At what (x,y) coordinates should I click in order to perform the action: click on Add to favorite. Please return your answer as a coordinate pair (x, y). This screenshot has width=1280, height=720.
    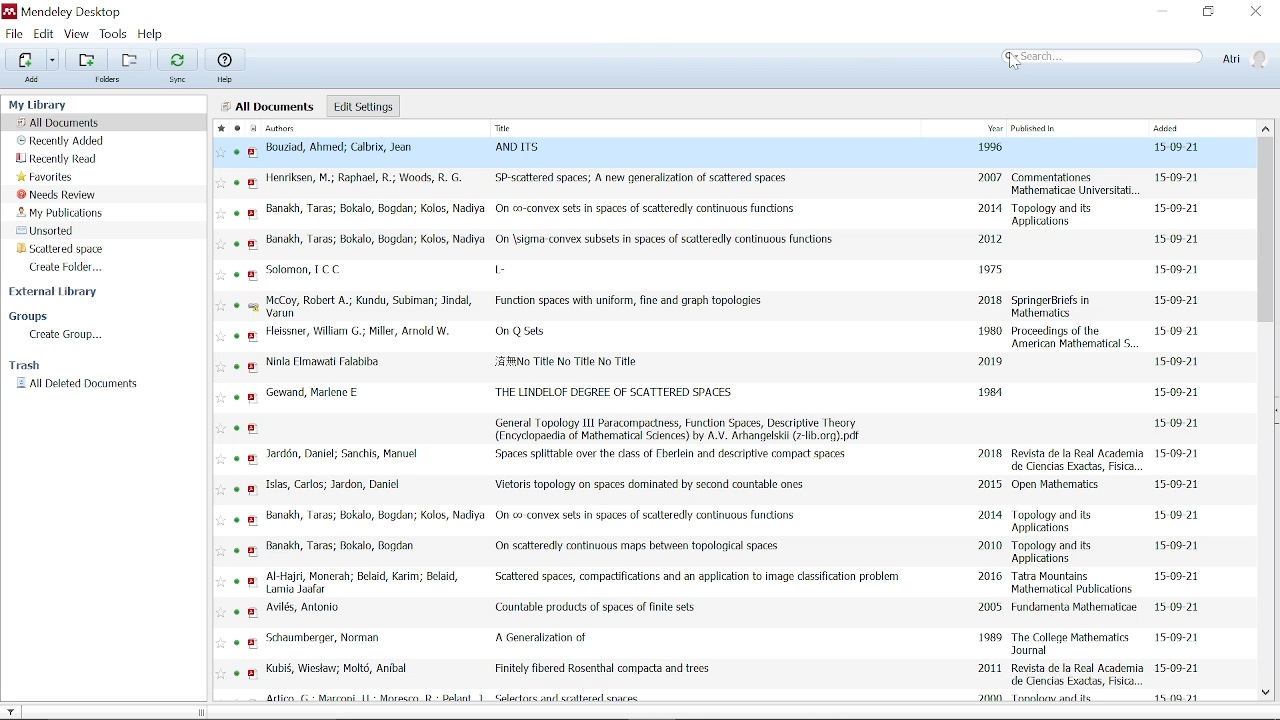
    Looking at the image, I should click on (221, 367).